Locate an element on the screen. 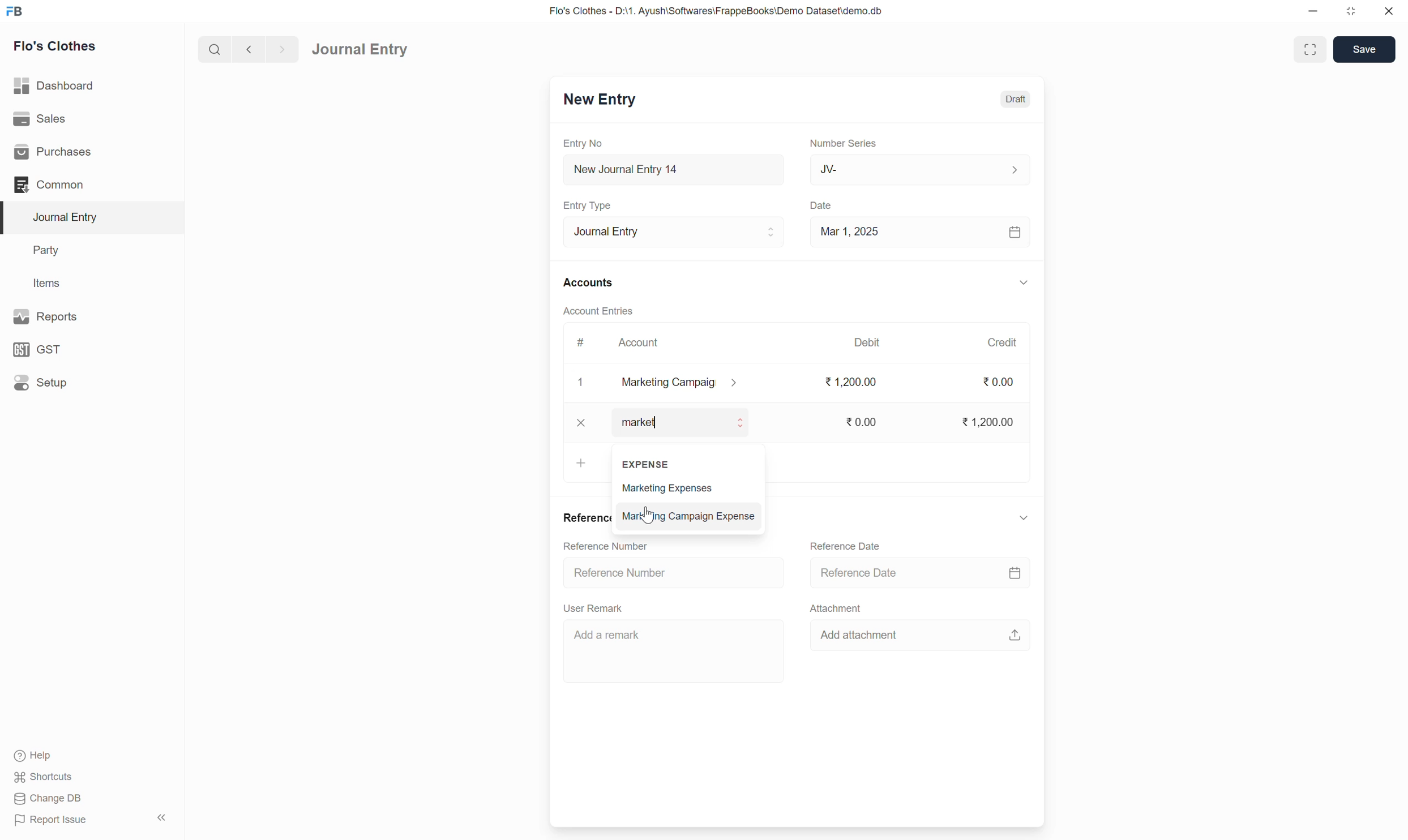 The height and width of the screenshot is (840, 1408). cursor is located at coordinates (645, 515).